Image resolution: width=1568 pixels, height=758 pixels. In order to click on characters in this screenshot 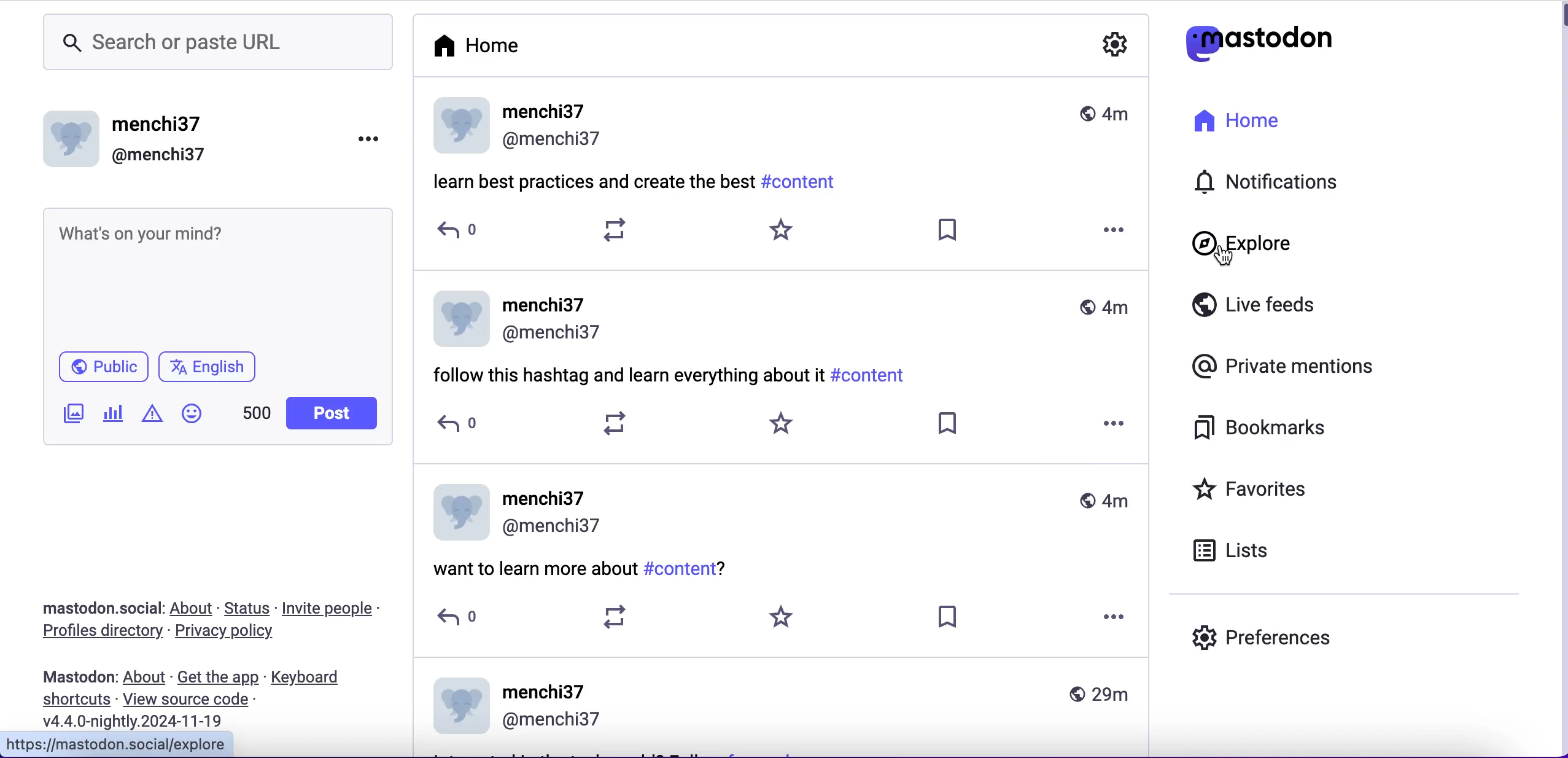, I will do `click(258, 413)`.